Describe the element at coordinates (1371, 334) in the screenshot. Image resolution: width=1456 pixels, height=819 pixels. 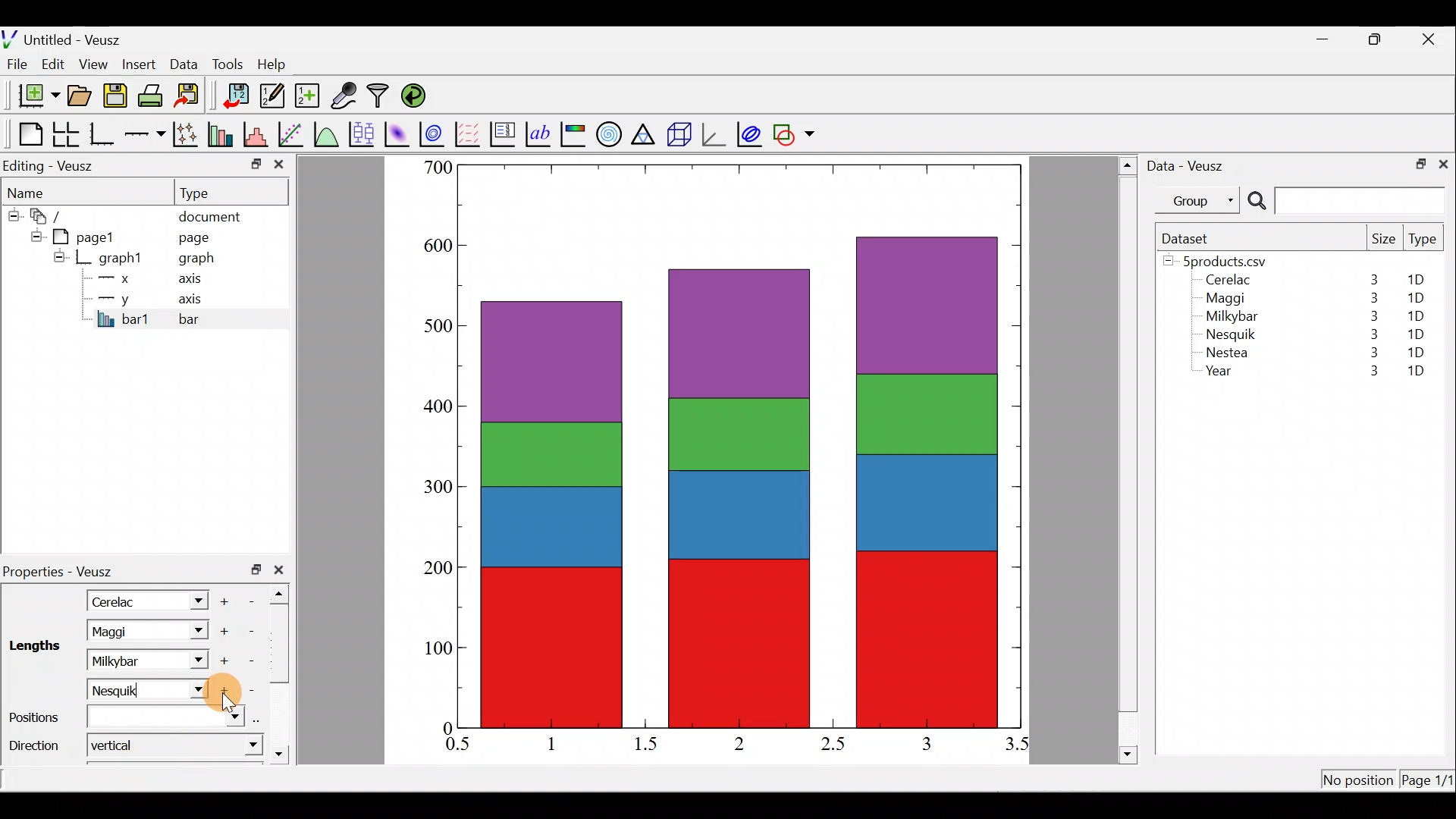
I see `3` at that location.